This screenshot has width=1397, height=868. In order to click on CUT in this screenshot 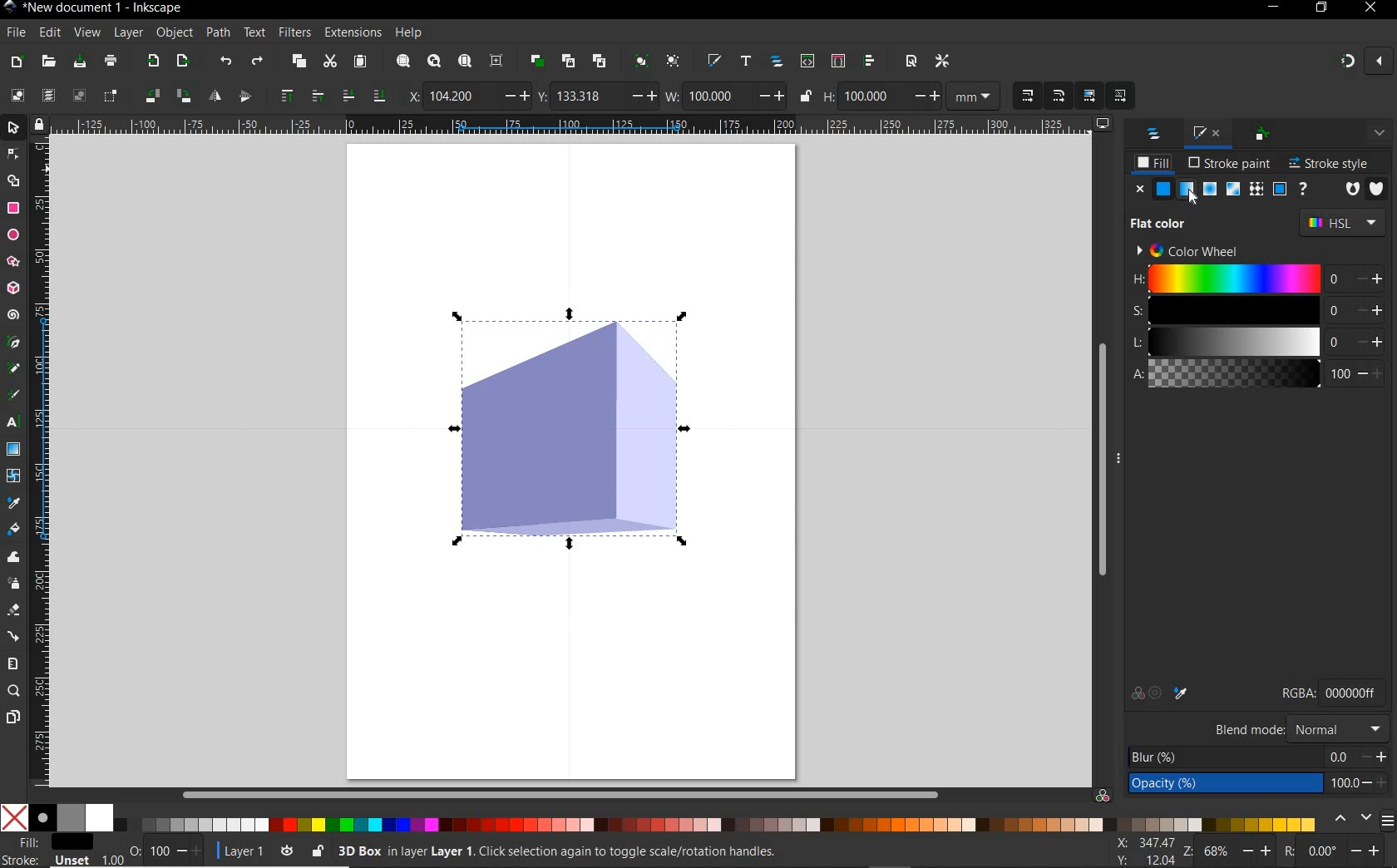, I will do `click(331, 62)`.